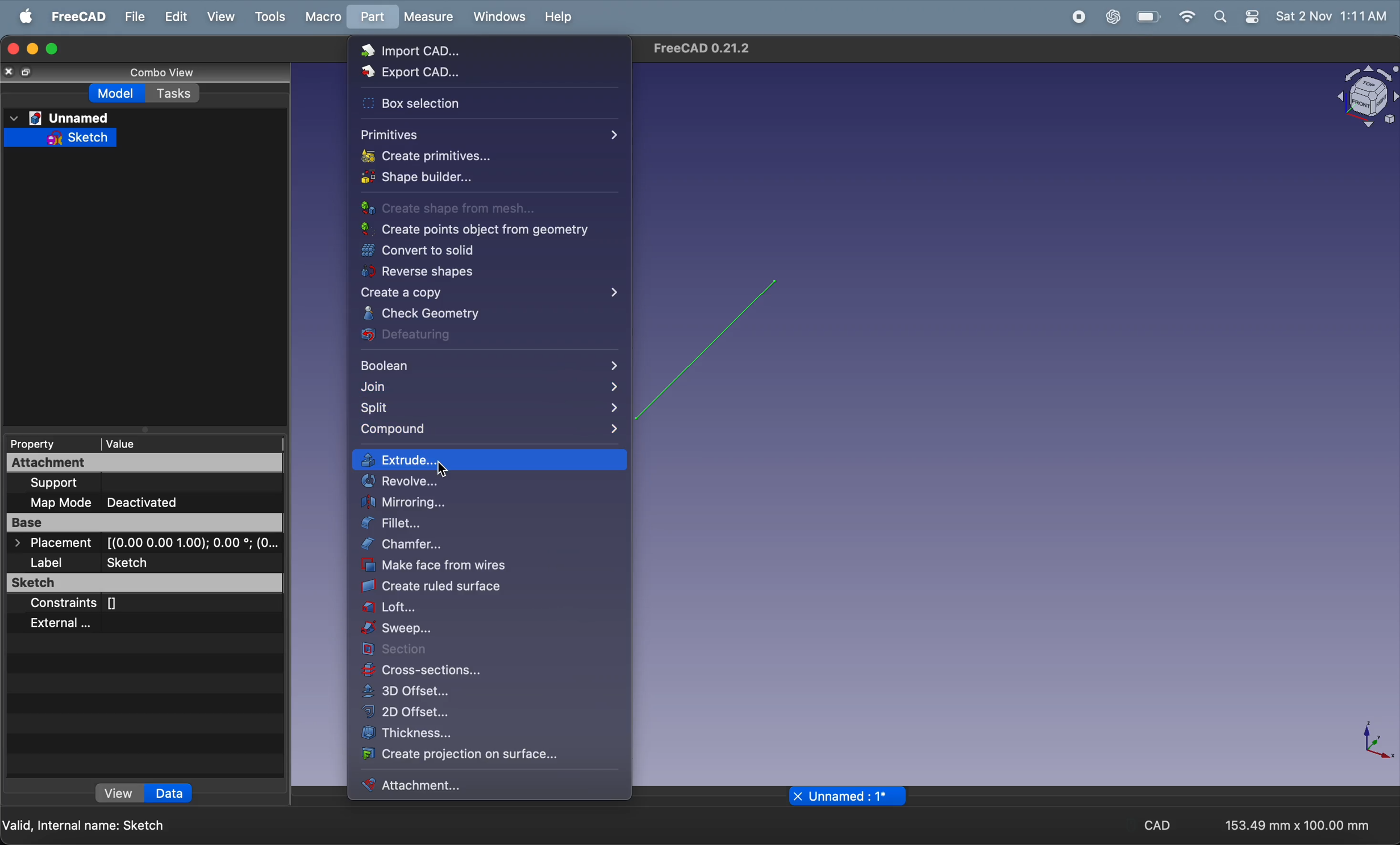 Image resolution: width=1400 pixels, height=845 pixels. I want to click on thickness..., so click(488, 733).